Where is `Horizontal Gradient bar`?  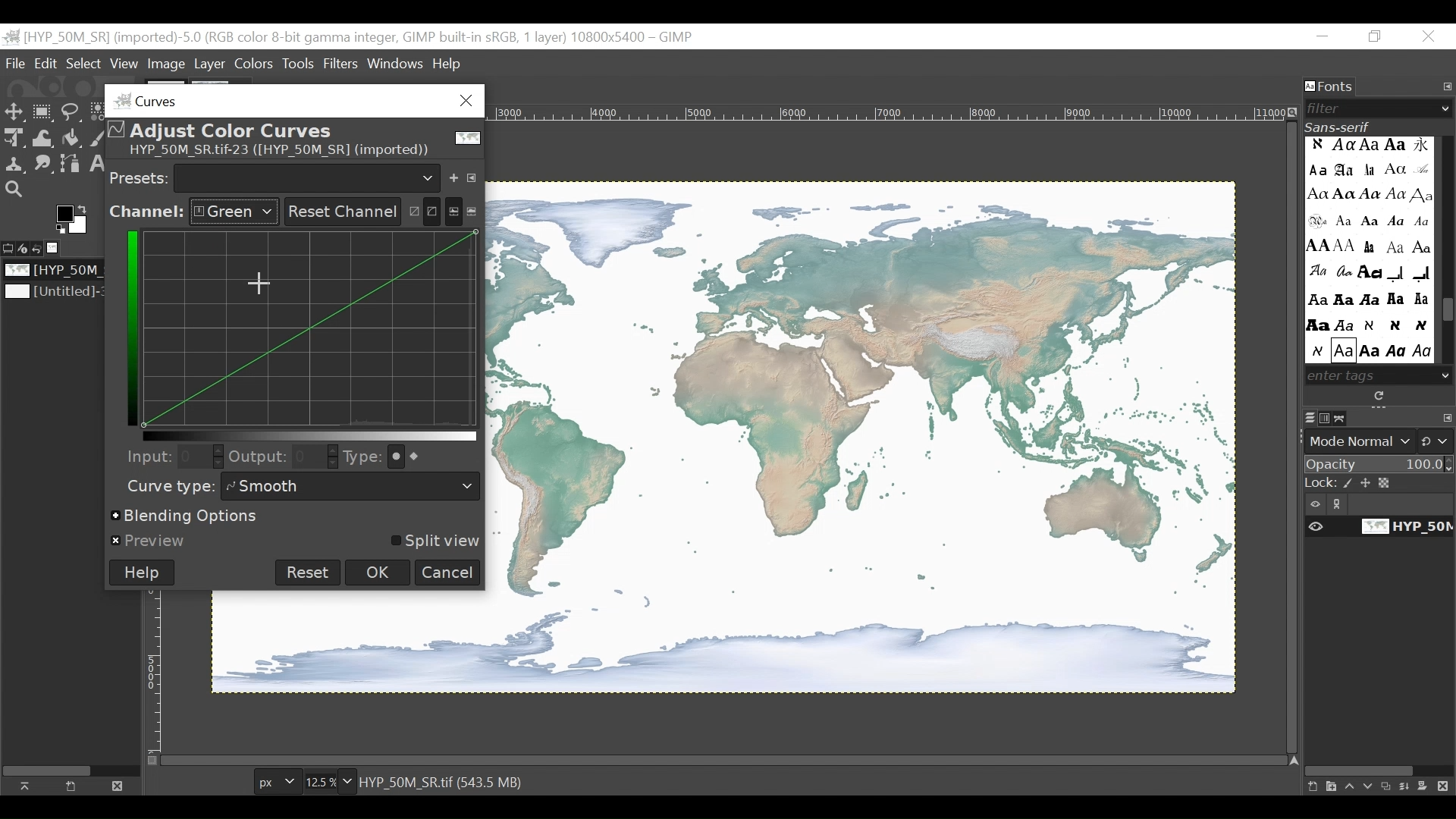 Horizontal Gradient bar is located at coordinates (310, 436).